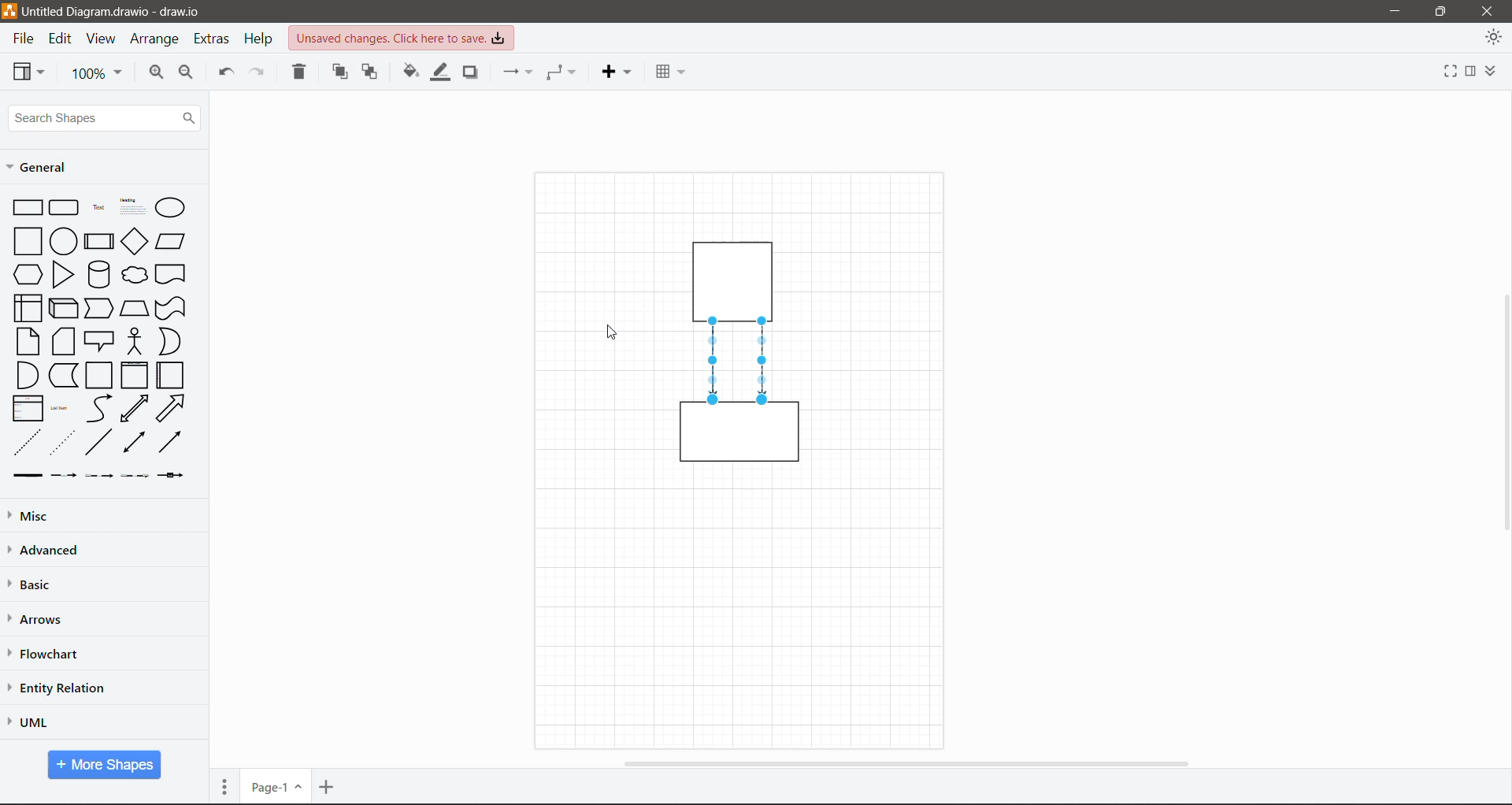 This screenshot has width=1512, height=805. I want to click on Zoom In, so click(154, 74).